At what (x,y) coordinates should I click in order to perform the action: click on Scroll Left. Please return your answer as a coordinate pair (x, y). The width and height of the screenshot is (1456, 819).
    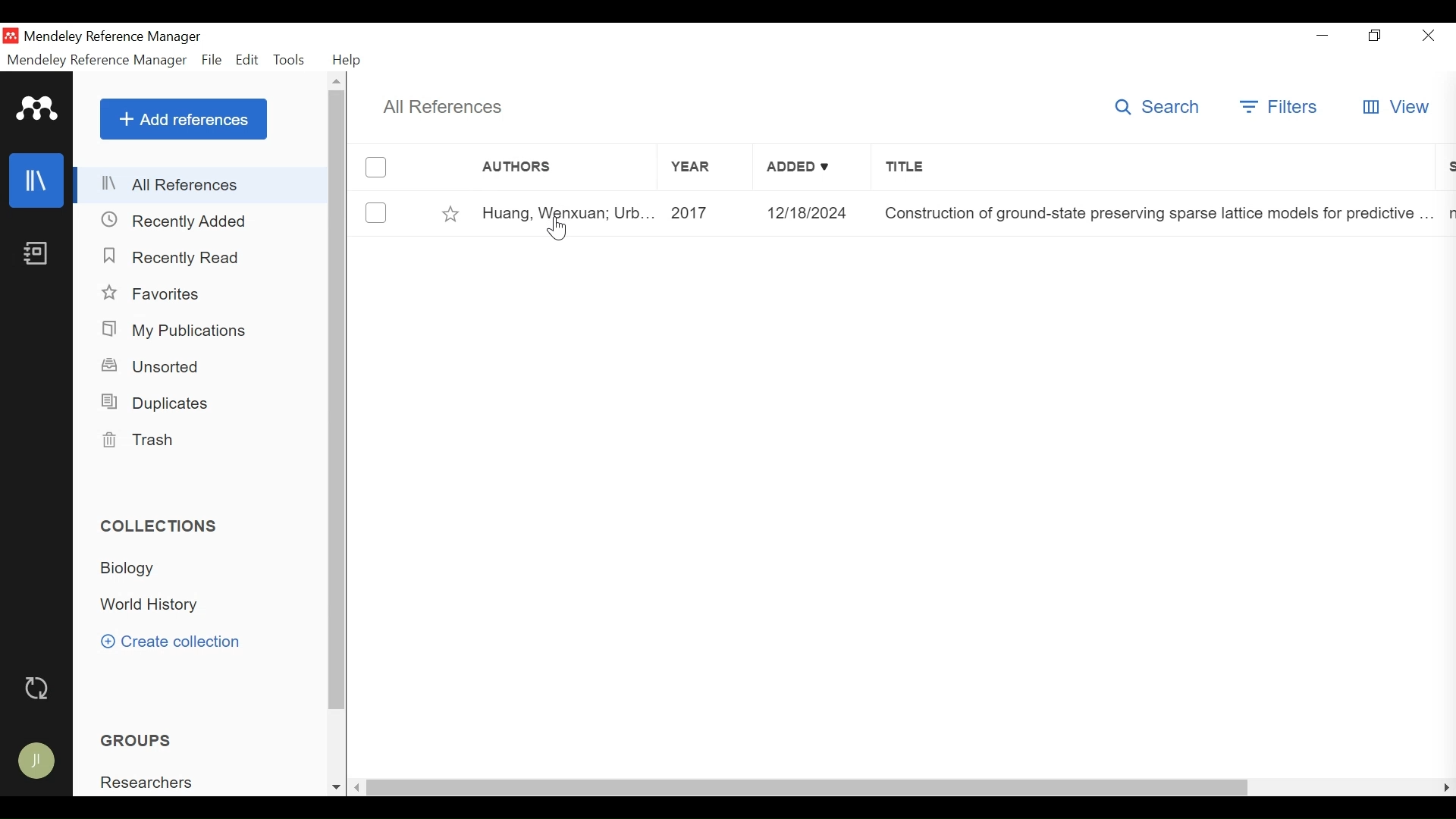
    Looking at the image, I should click on (358, 787).